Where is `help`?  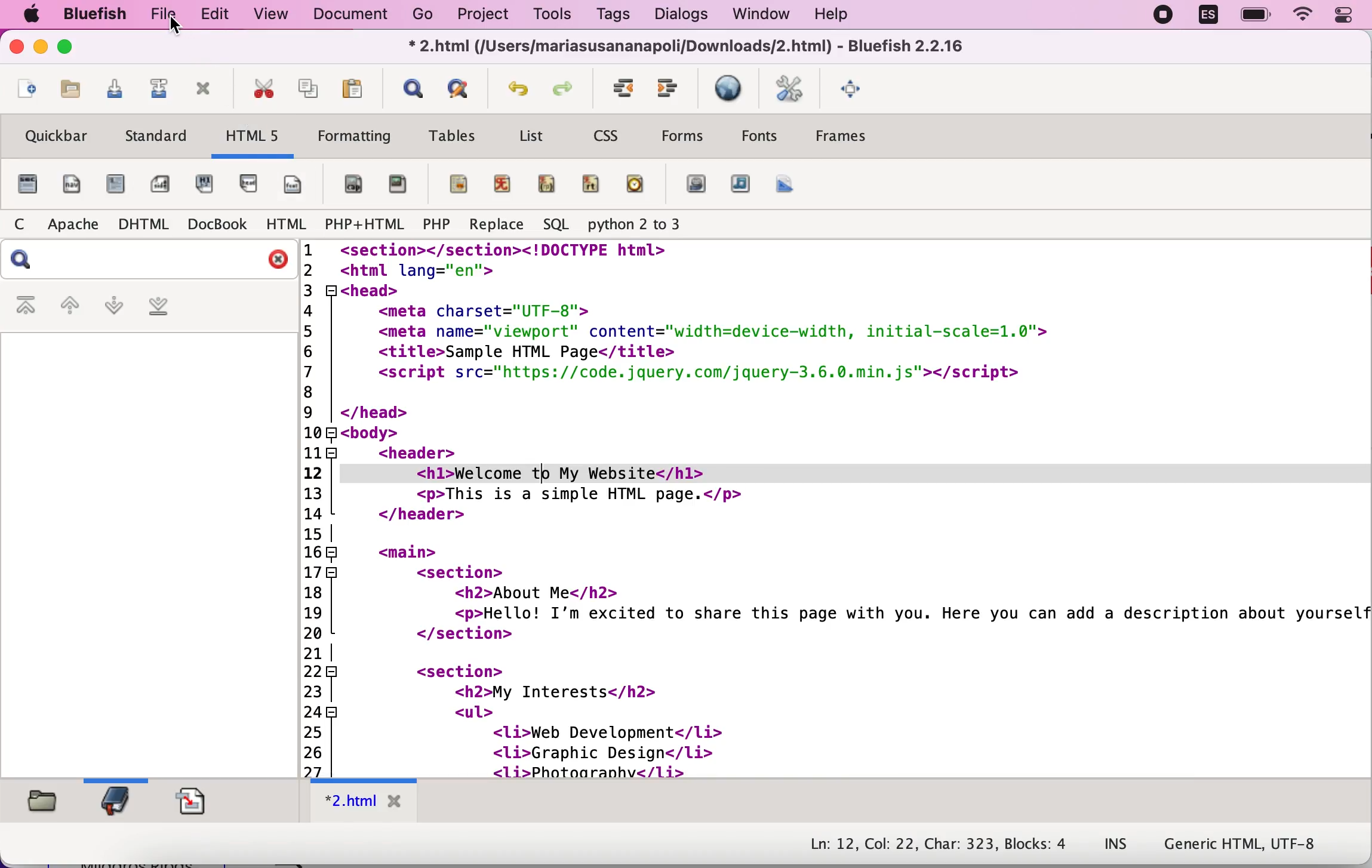
help is located at coordinates (848, 14).